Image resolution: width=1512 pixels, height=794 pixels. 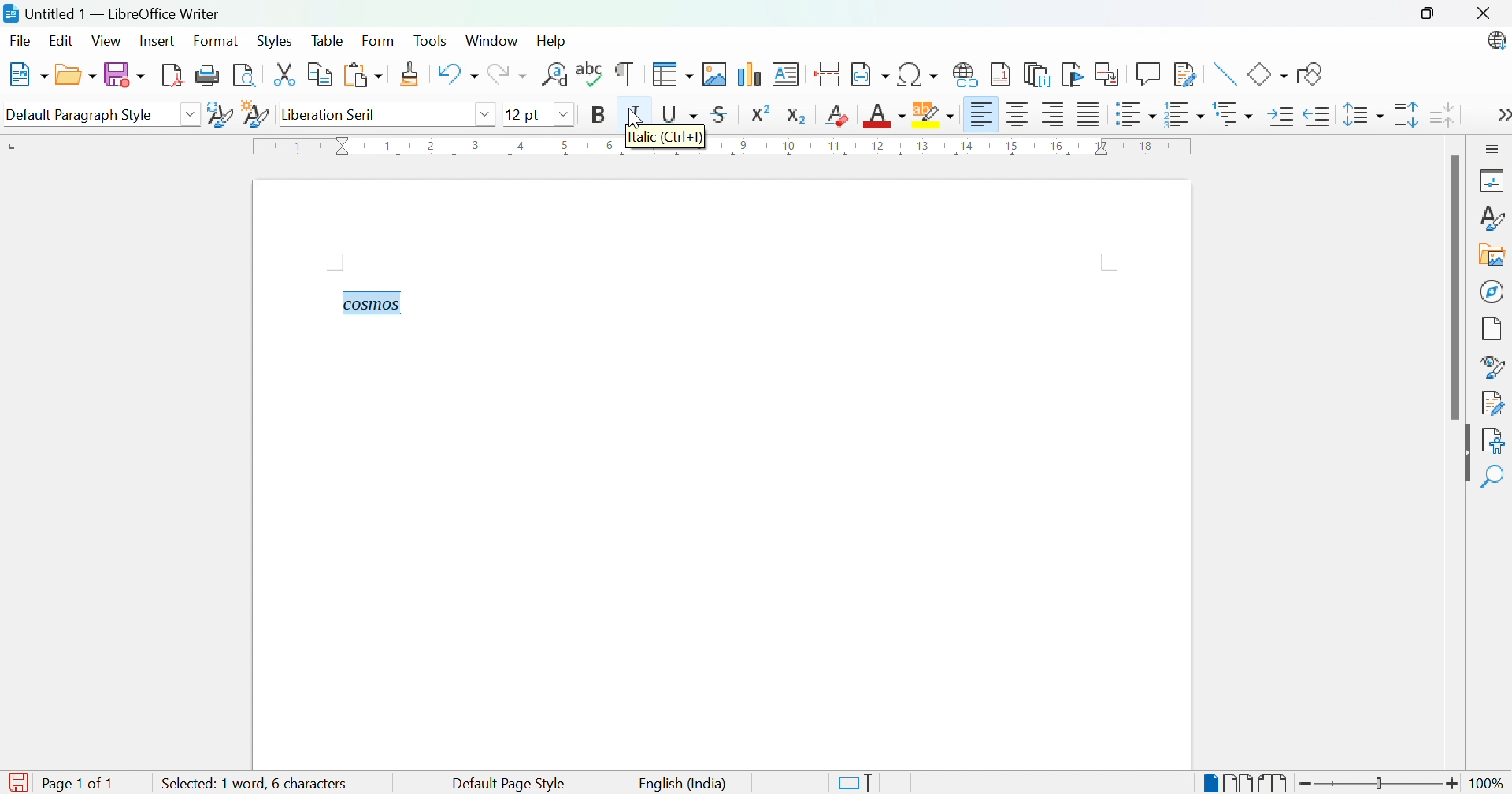 What do you see at coordinates (1208, 785) in the screenshot?
I see `Single-page view` at bounding box center [1208, 785].